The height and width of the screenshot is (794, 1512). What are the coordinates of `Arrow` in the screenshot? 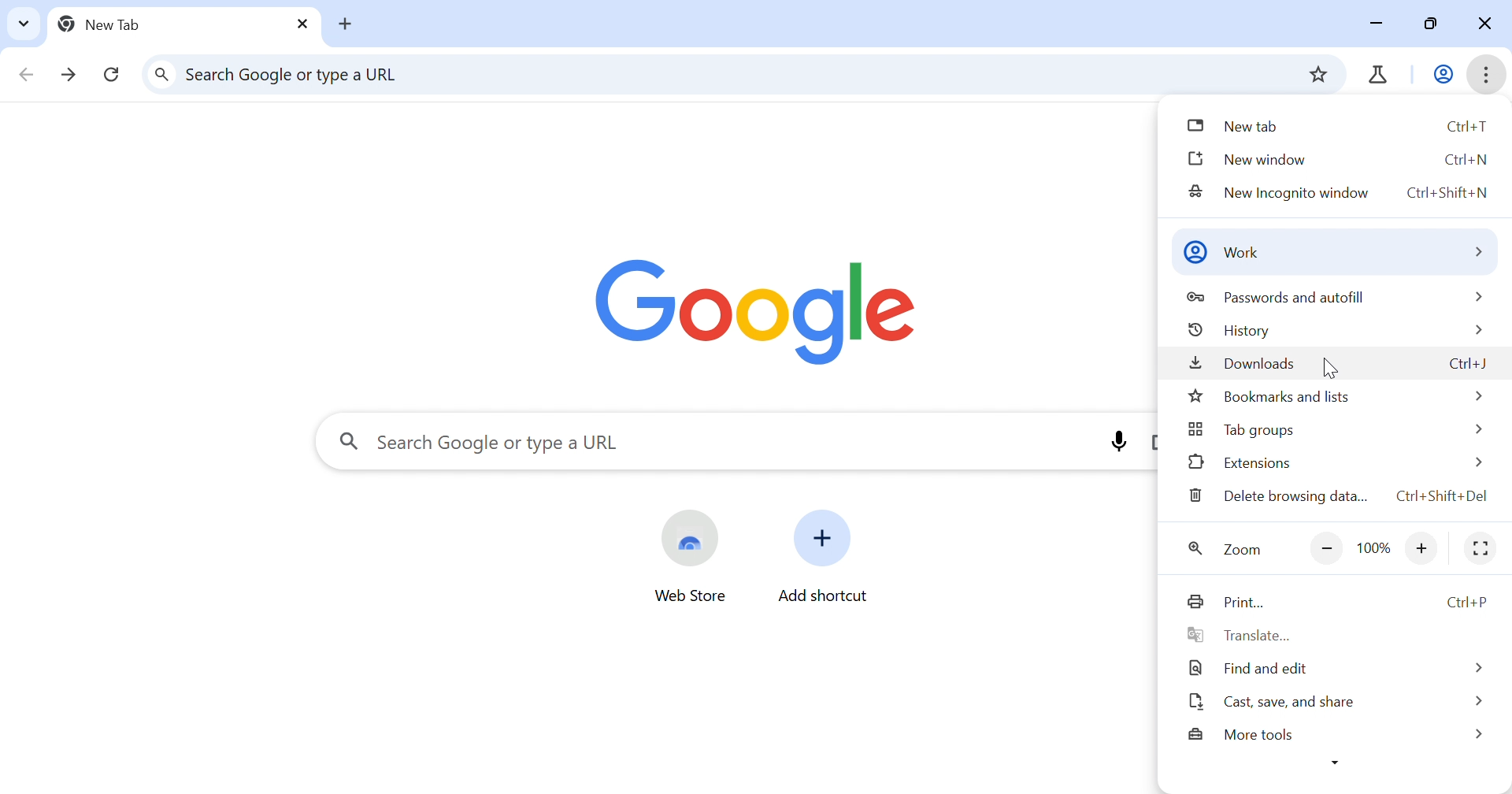 It's located at (1478, 700).